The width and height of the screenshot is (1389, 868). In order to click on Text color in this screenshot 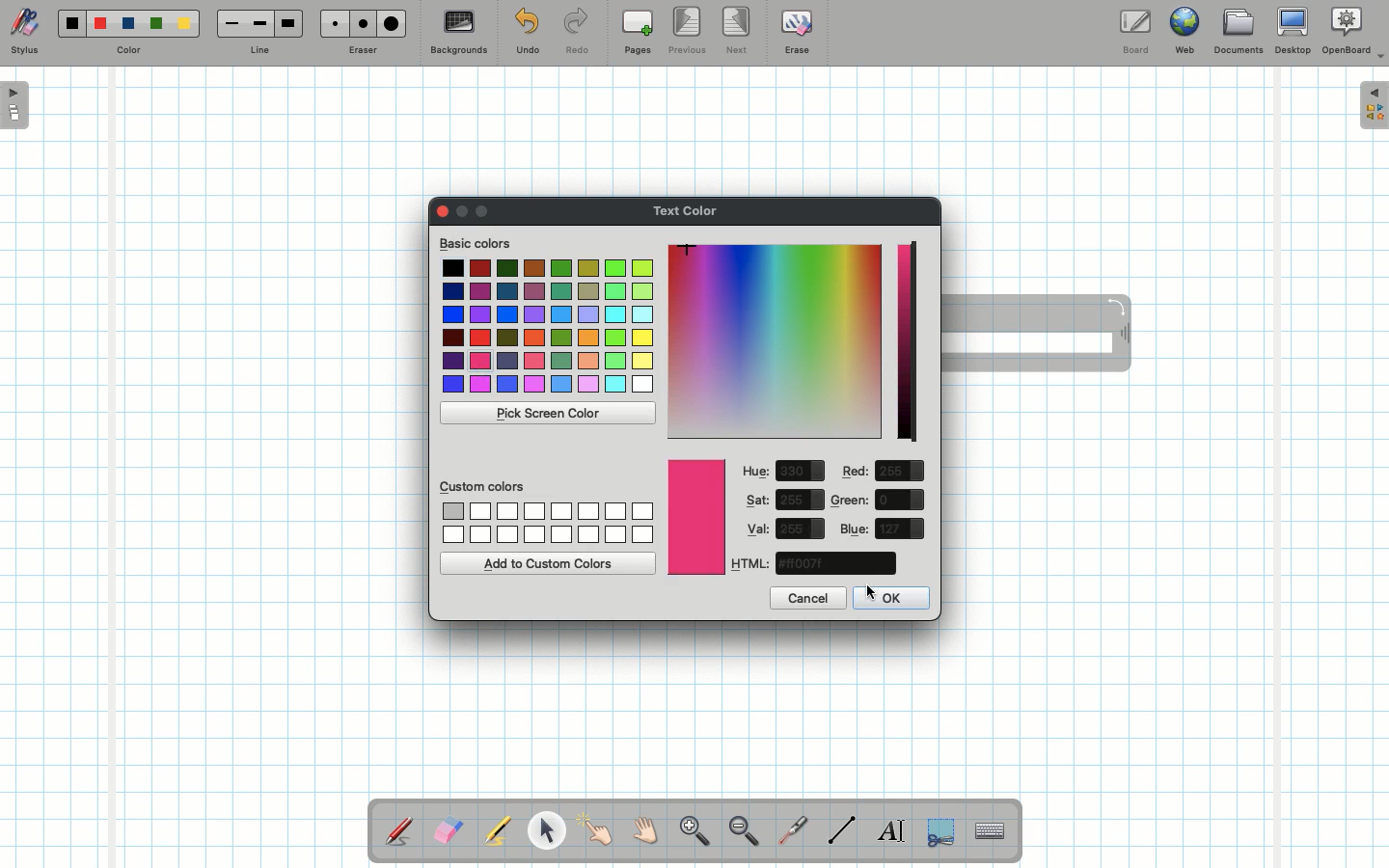, I will do `click(688, 207)`.